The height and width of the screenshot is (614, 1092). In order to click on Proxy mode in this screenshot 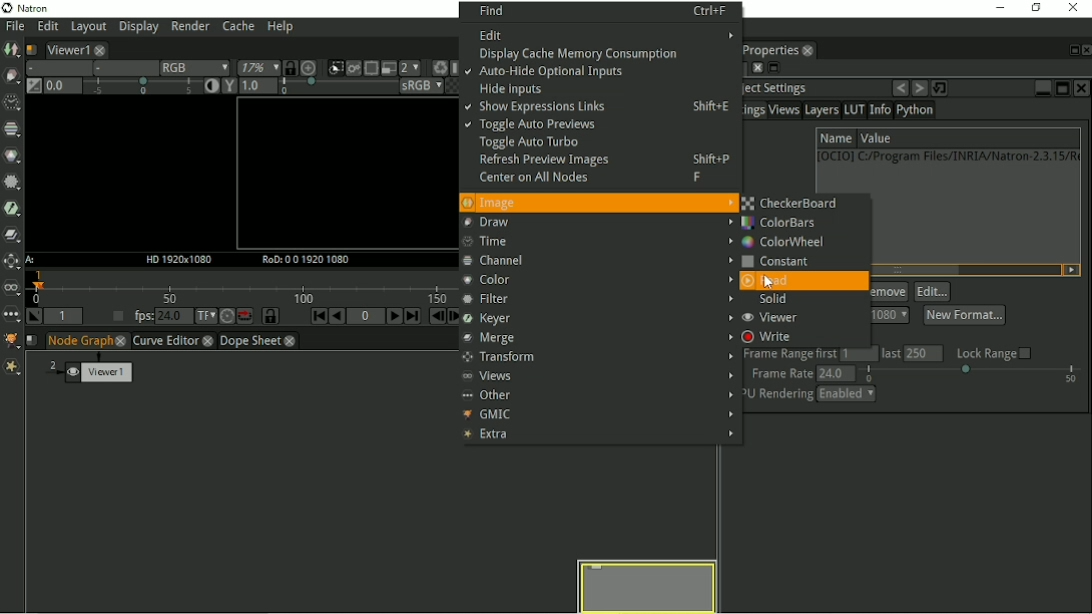, I will do `click(387, 67)`.